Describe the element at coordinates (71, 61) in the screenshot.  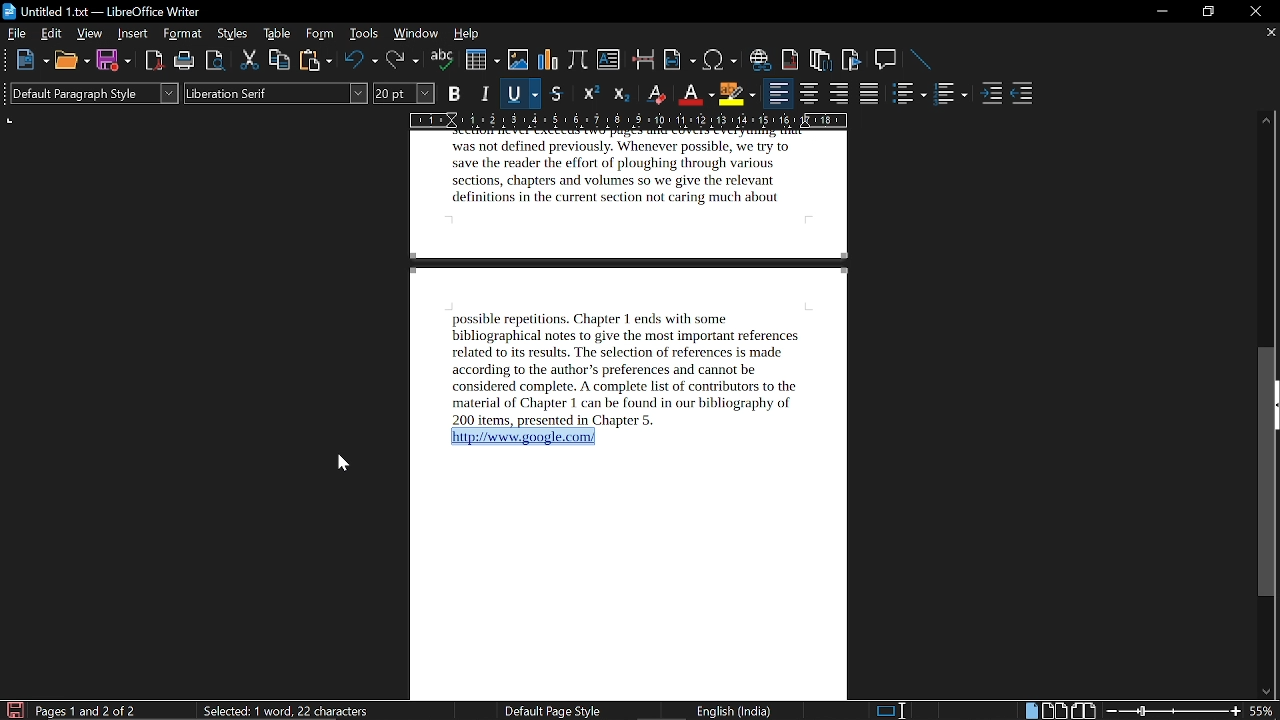
I see `open` at that location.